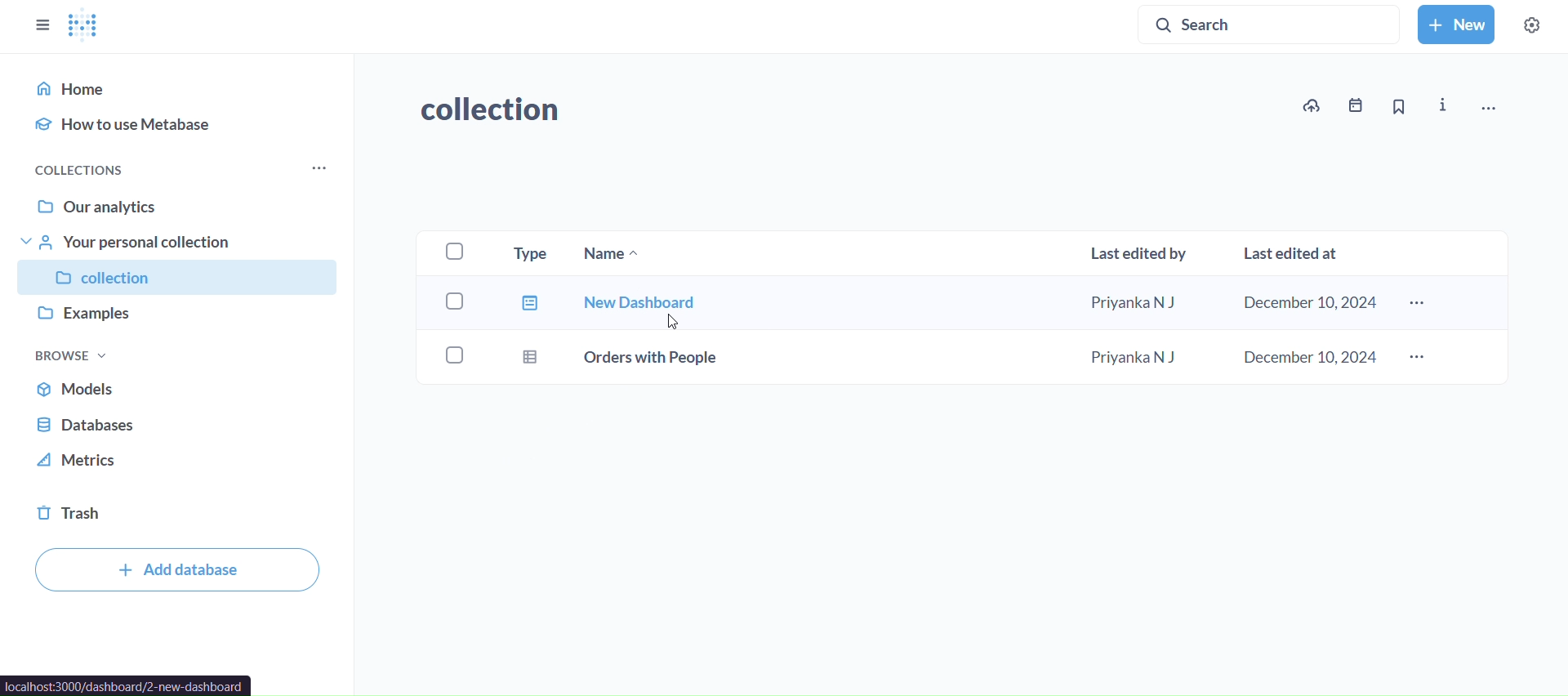  Describe the element at coordinates (1532, 25) in the screenshot. I see `settings` at that location.